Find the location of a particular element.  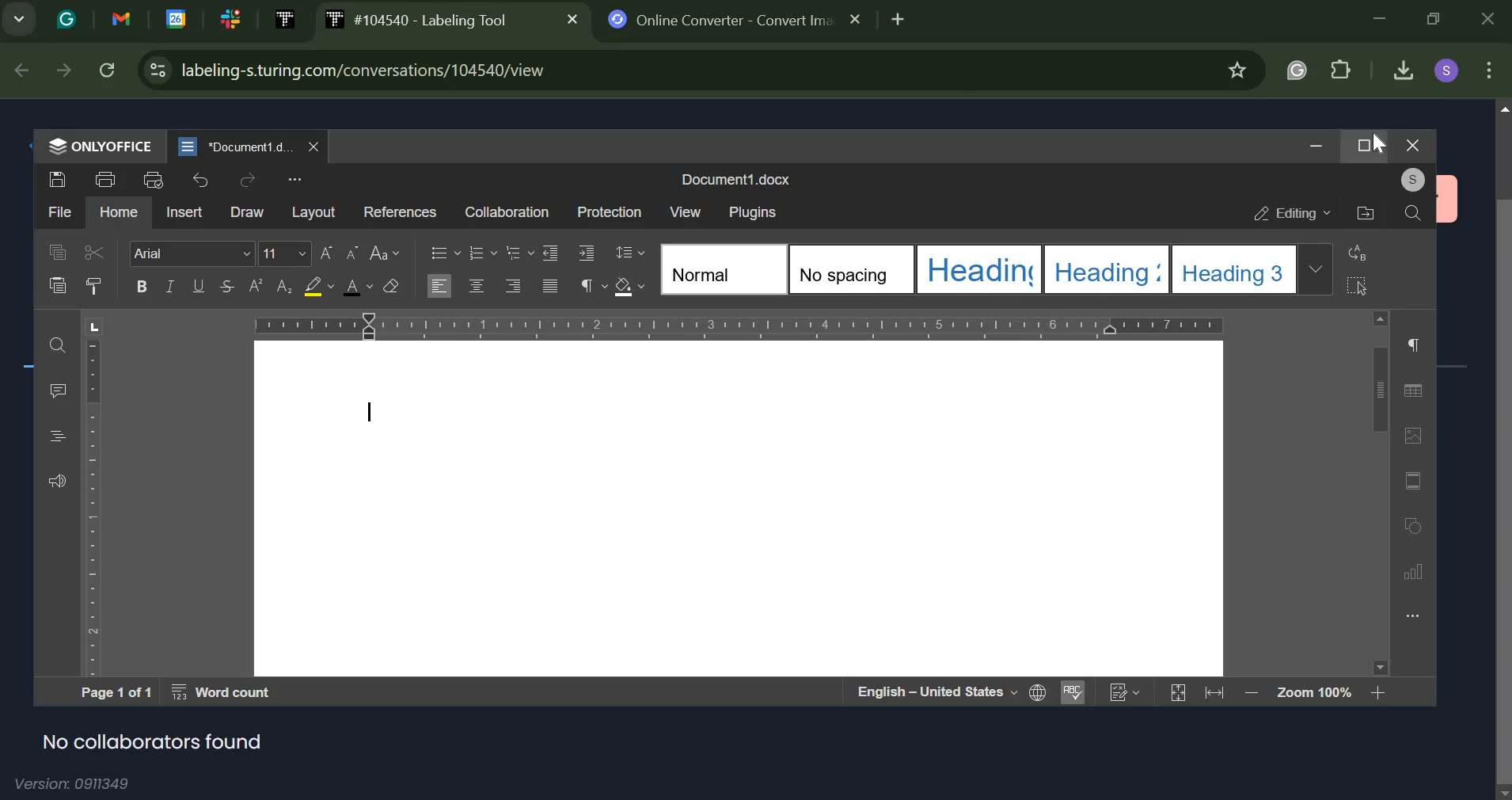

paragraph settings is located at coordinates (590, 285).